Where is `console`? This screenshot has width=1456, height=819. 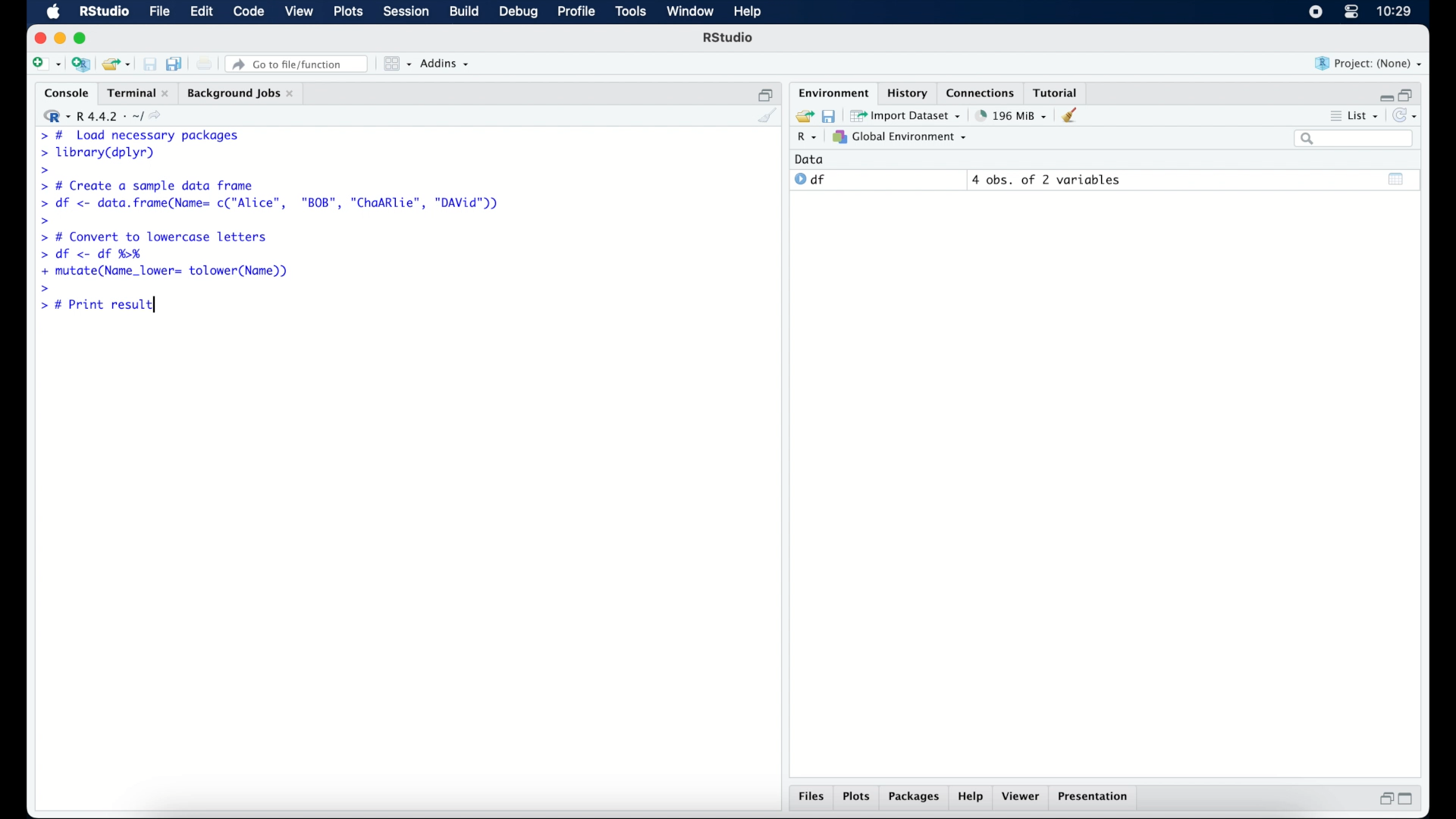 console is located at coordinates (63, 93).